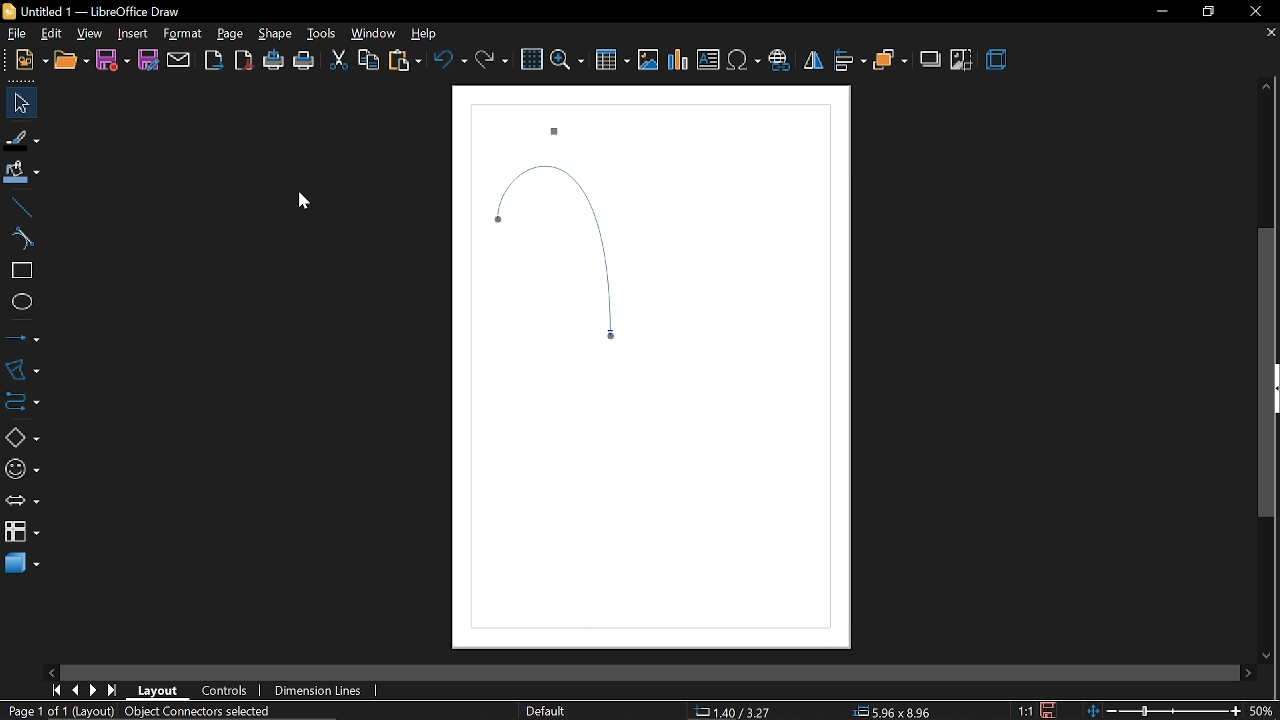  Describe the element at coordinates (614, 59) in the screenshot. I see `Insert table` at that location.